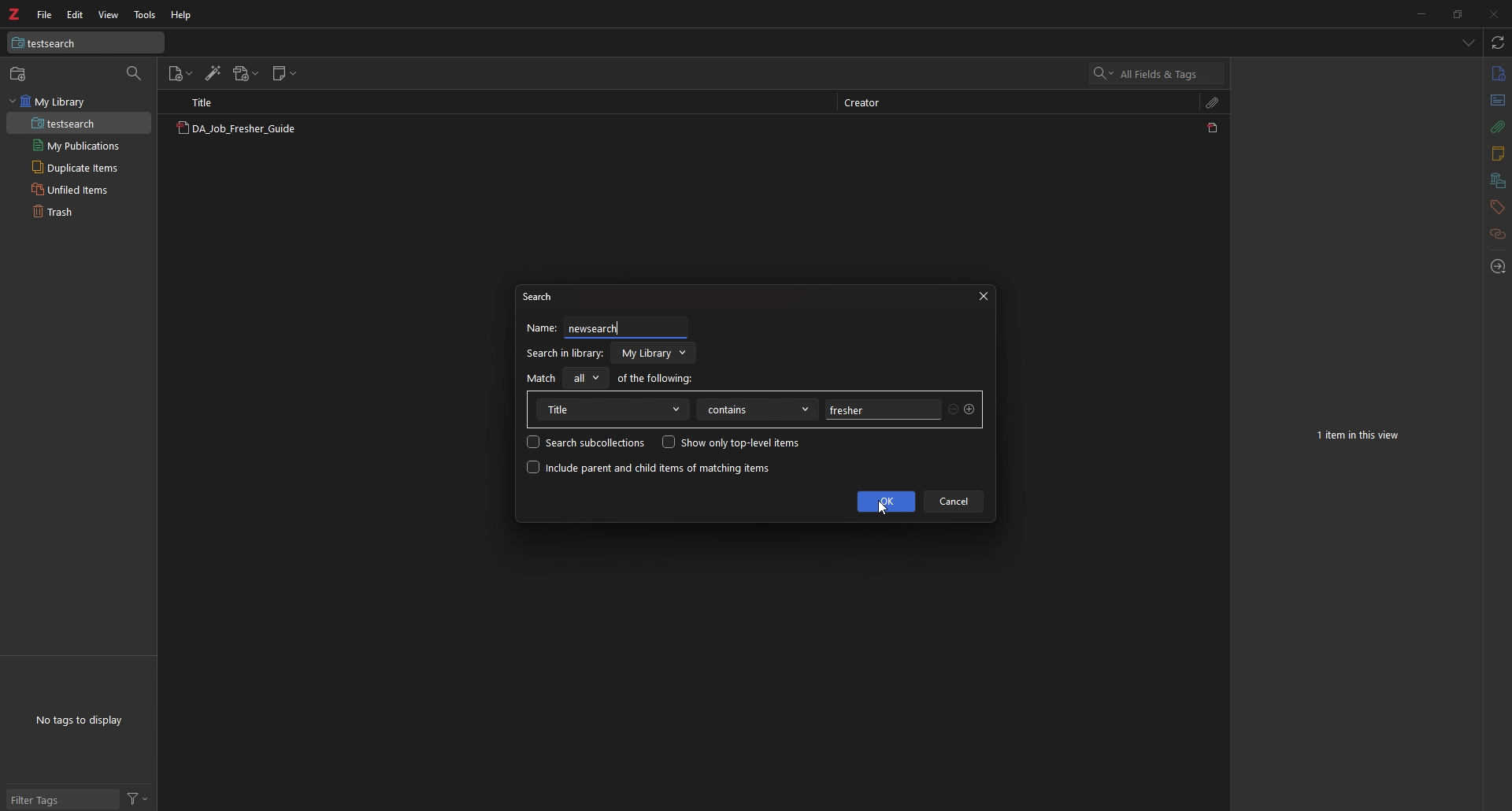 Image resolution: width=1512 pixels, height=811 pixels. What do you see at coordinates (13, 14) in the screenshot?
I see `zotero` at bounding box center [13, 14].